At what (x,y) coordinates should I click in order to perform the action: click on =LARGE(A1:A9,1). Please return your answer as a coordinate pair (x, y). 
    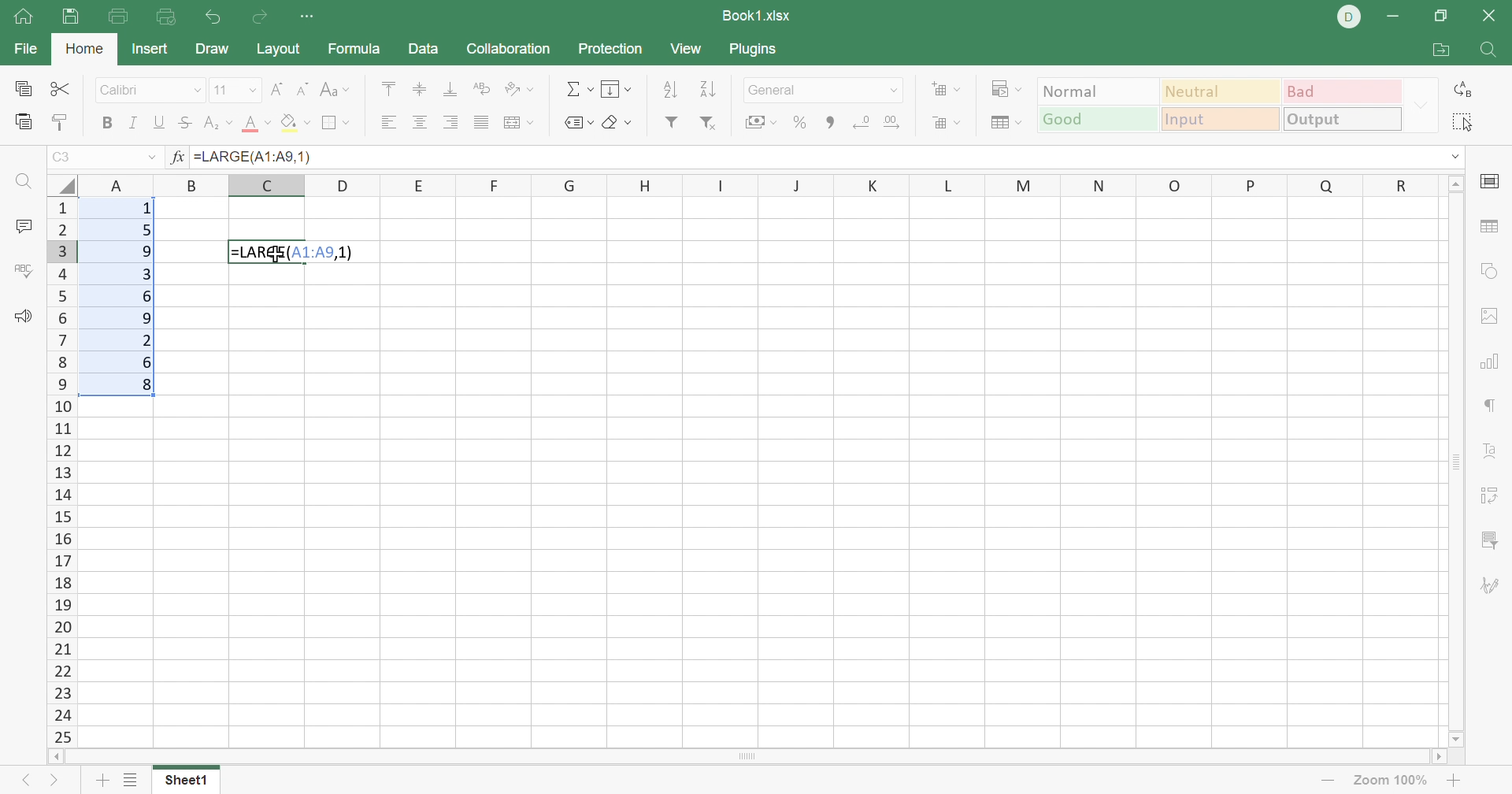
    Looking at the image, I should click on (259, 158).